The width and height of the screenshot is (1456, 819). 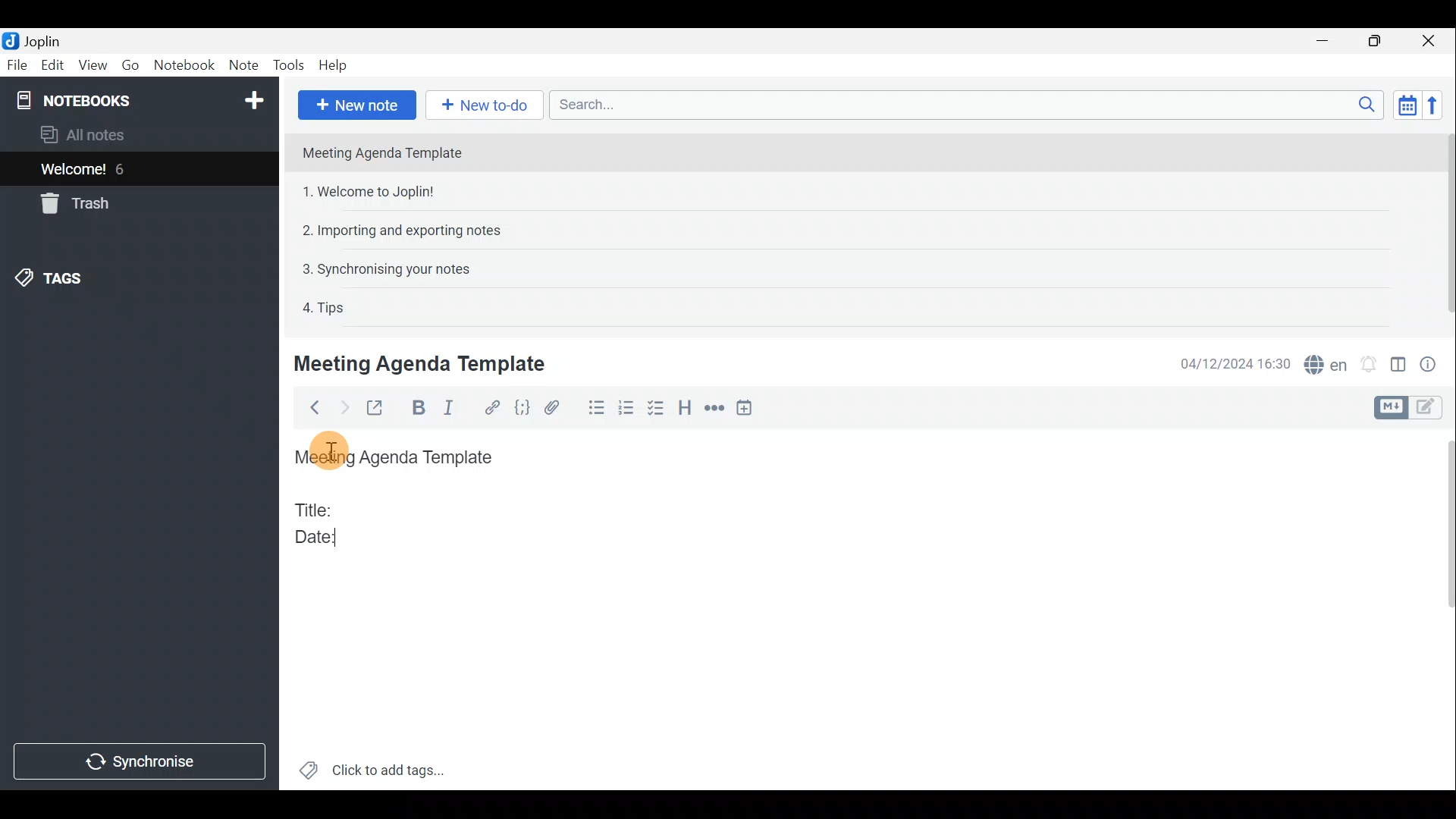 I want to click on 04/12/2024 16:30, so click(x=1228, y=362).